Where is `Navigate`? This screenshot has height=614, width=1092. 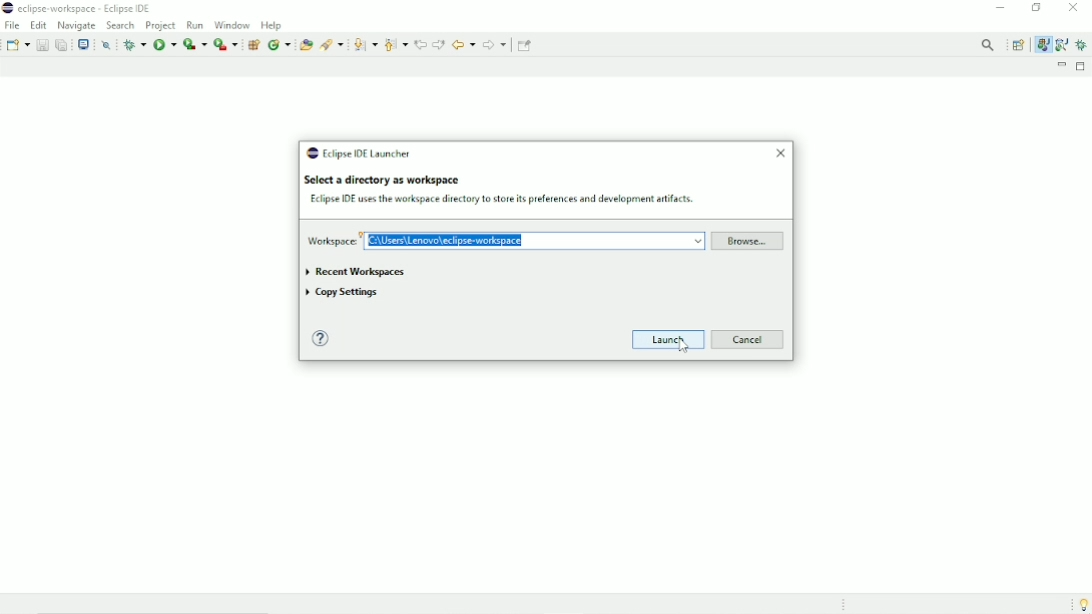
Navigate is located at coordinates (76, 25).